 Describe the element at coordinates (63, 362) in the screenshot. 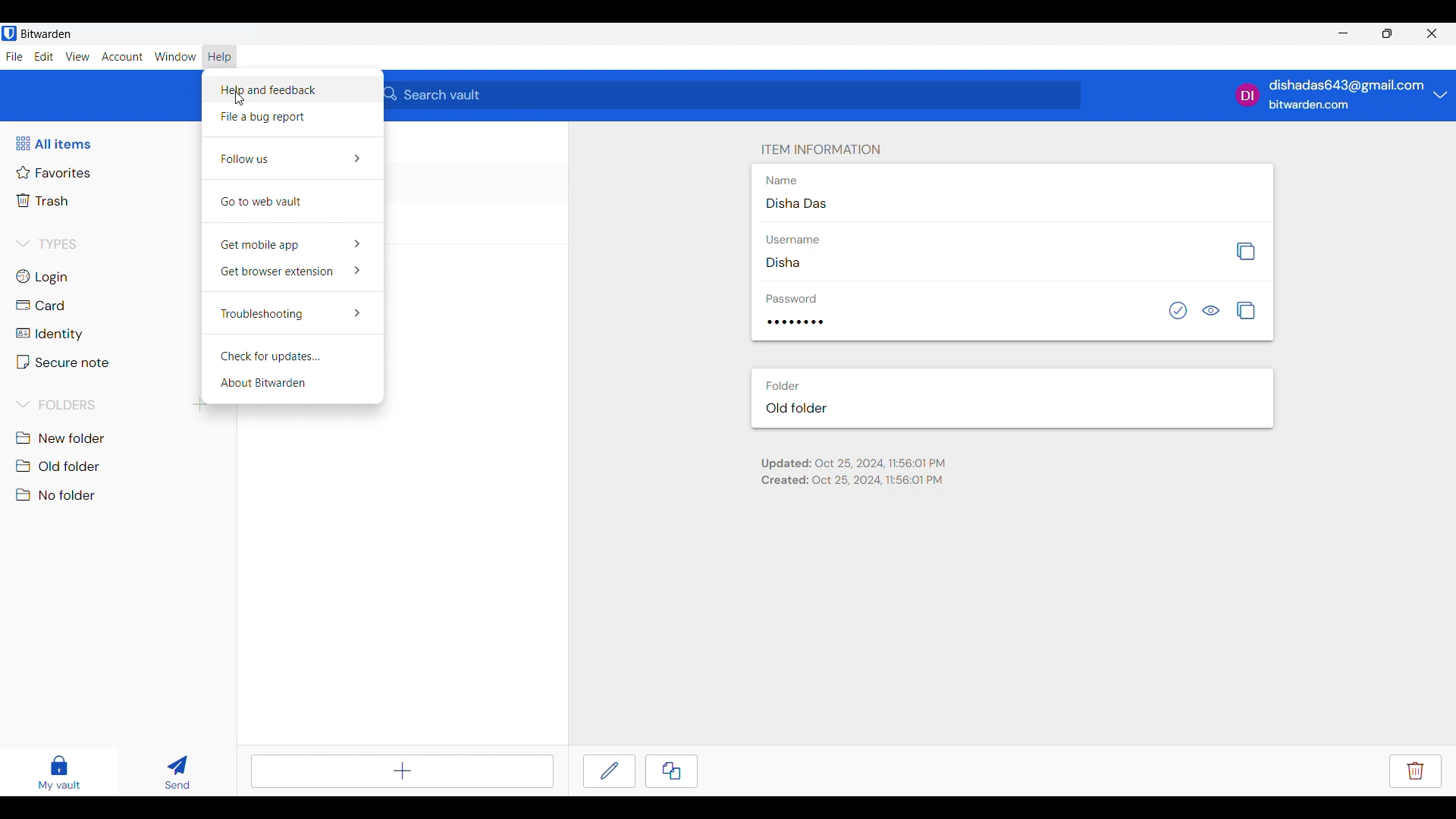

I see `Secure note` at that location.